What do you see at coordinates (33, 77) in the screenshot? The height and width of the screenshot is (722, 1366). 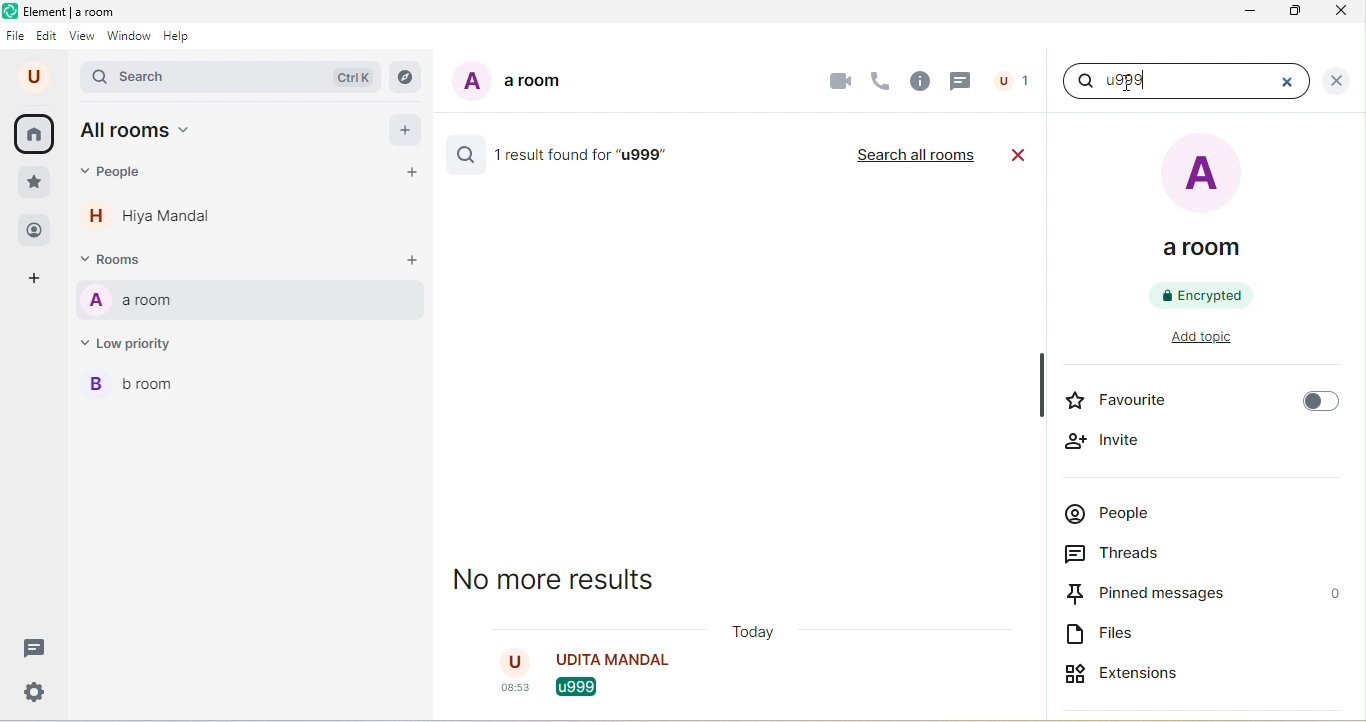 I see `u` at bounding box center [33, 77].